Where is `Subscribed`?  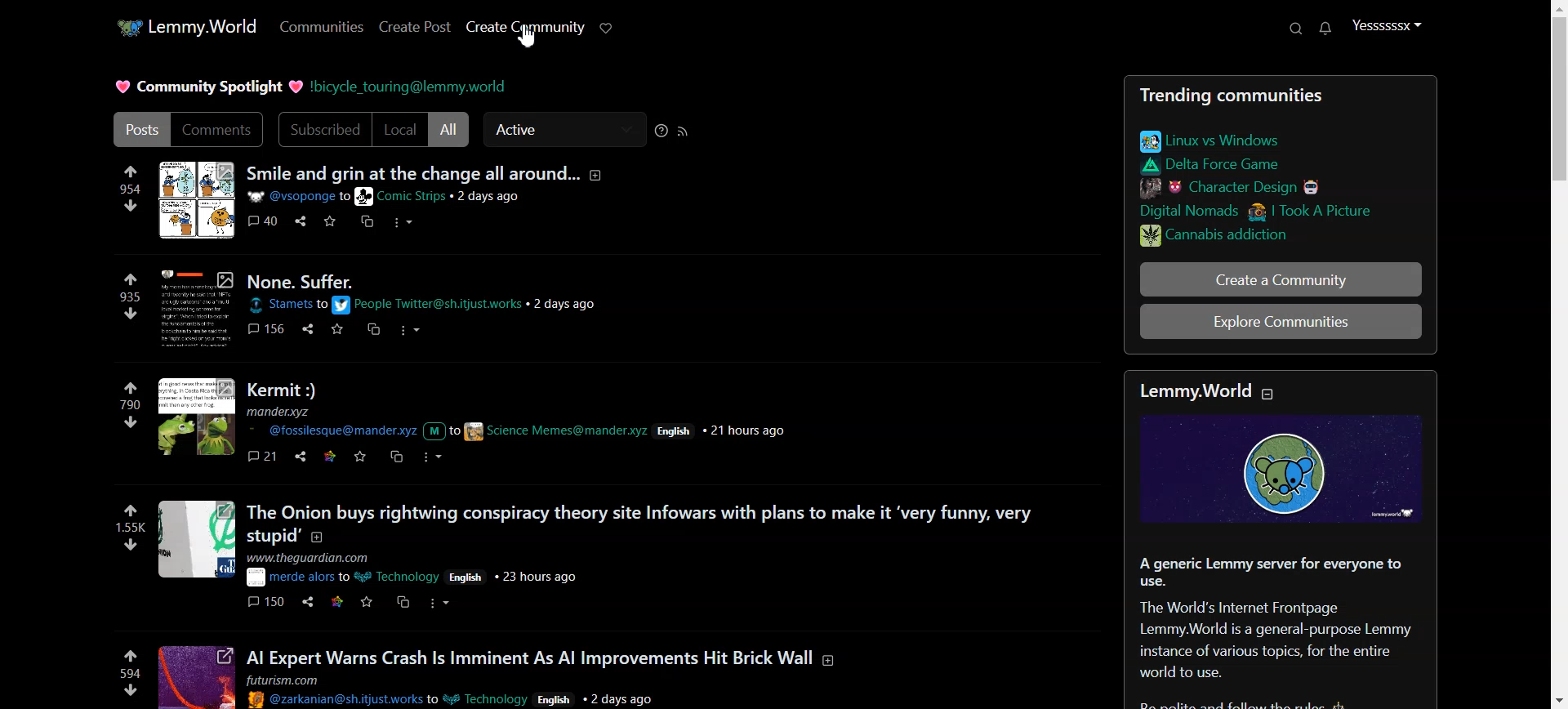
Subscribed is located at coordinates (323, 128).